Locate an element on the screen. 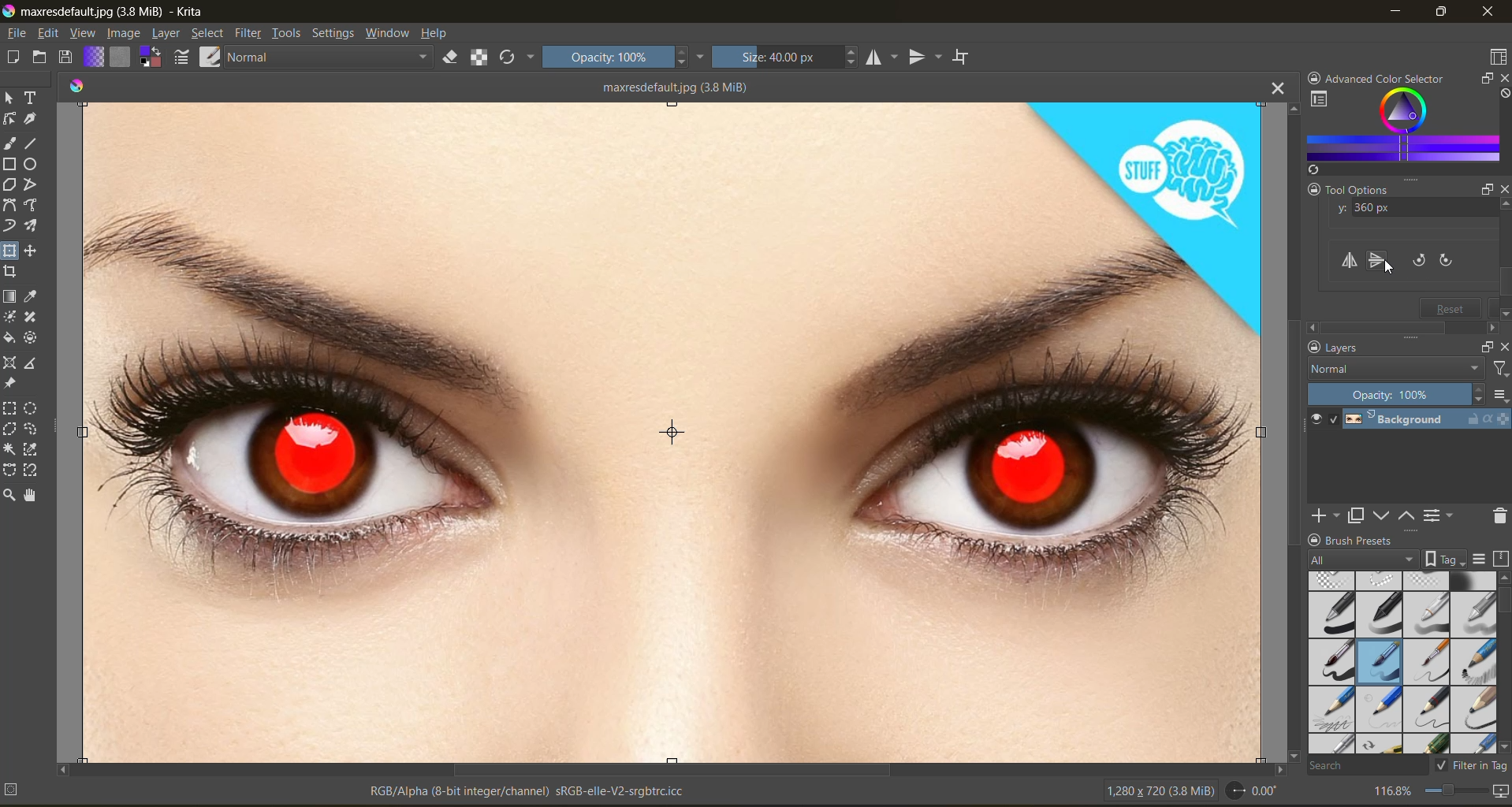  vertical scroll bar is located at coordinates (1503, 613).